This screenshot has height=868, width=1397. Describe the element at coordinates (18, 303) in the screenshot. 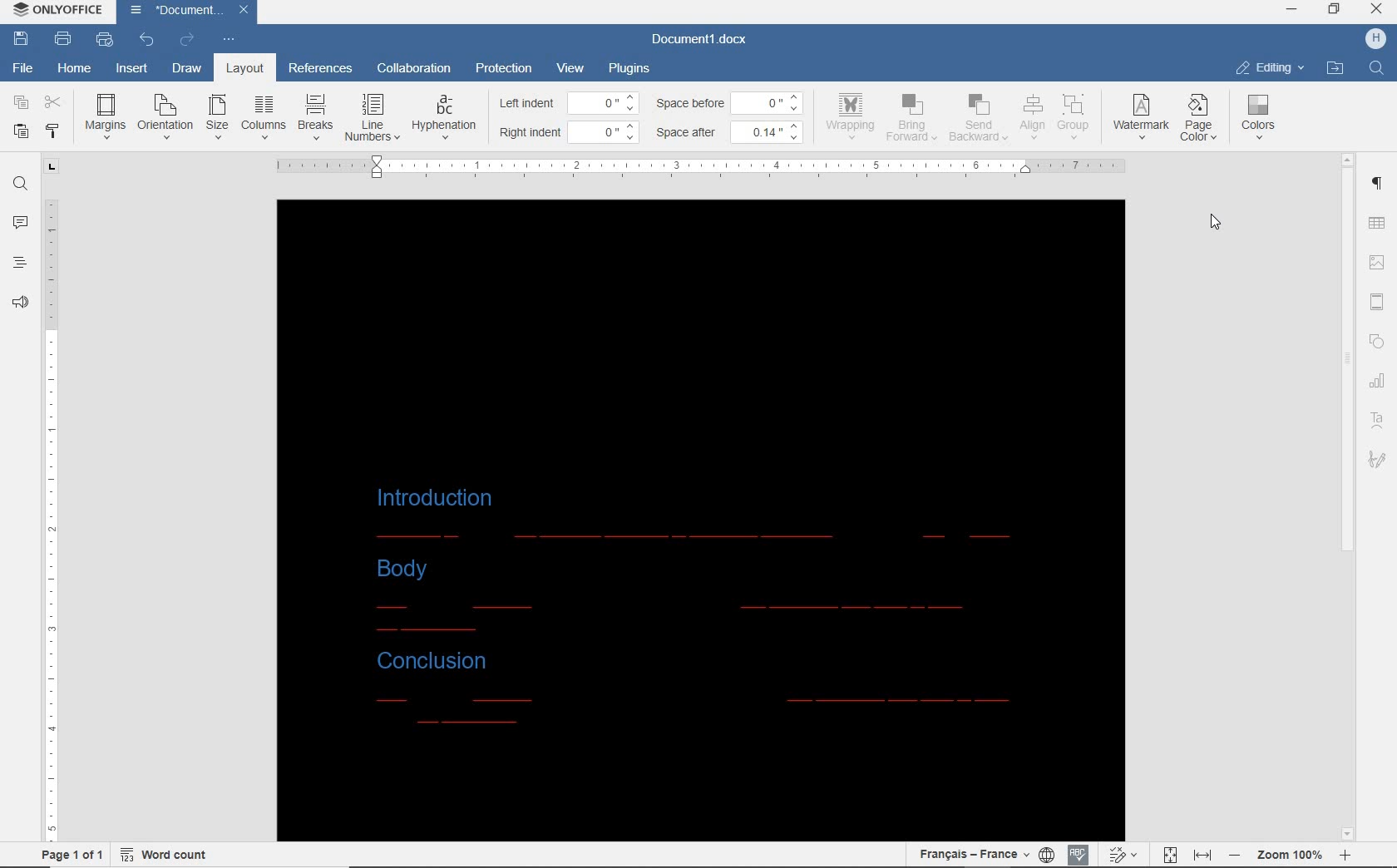

I see `feedback & support` at that location.